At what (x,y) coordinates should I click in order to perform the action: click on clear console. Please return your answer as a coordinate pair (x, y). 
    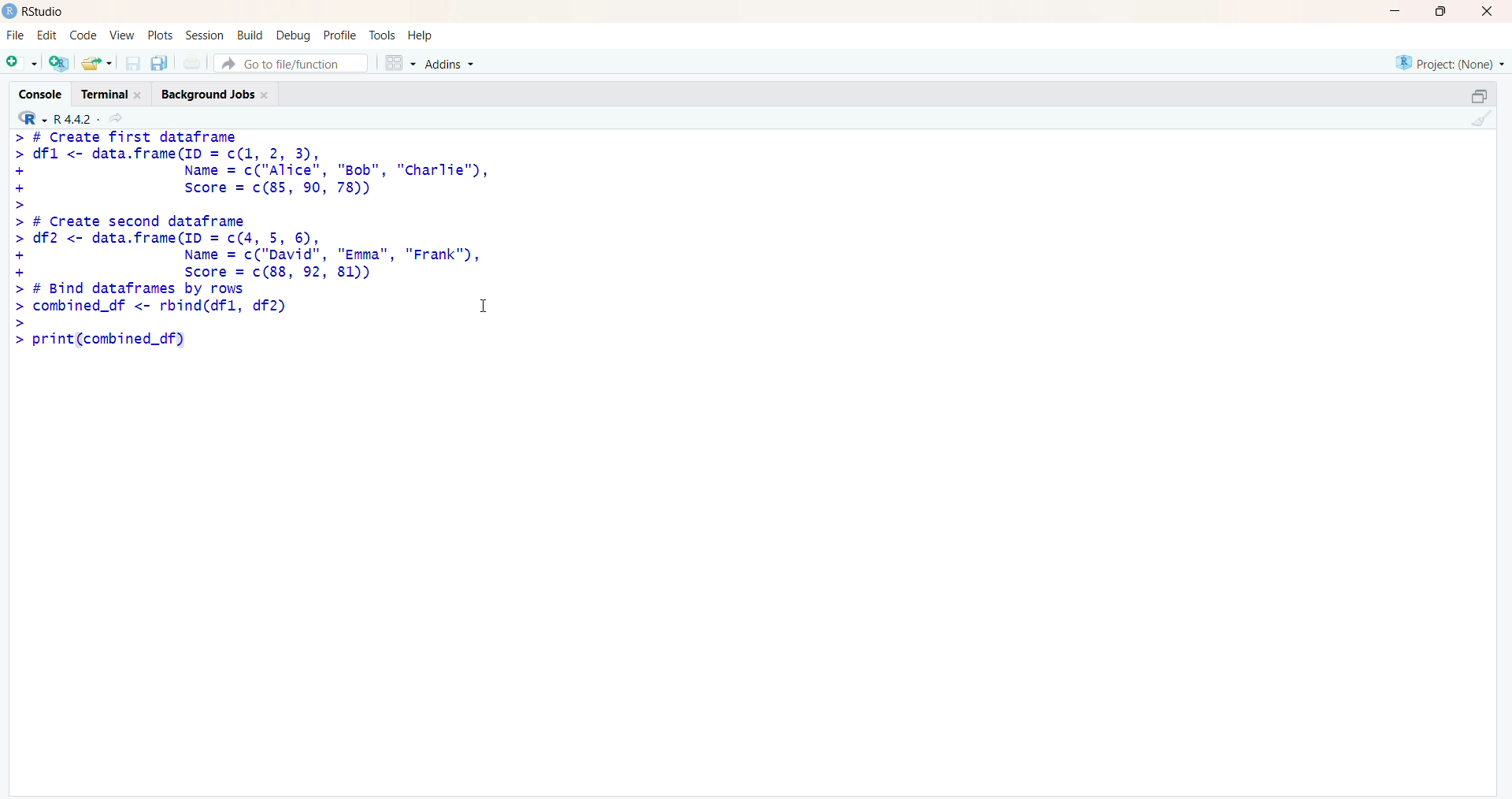
    Looking at the image, I should click on (1477, 118).